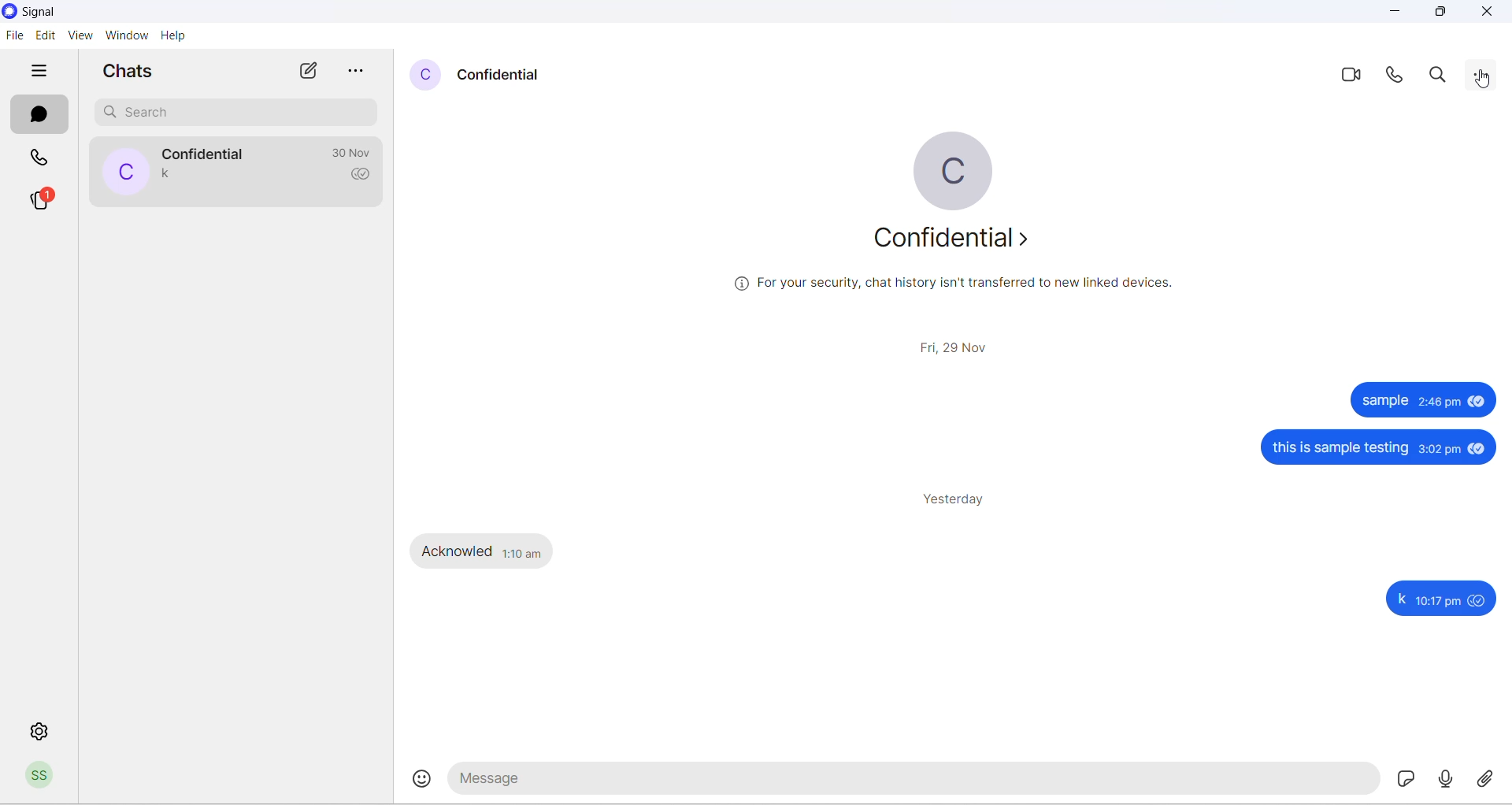 This screenshot has height=805, width=1512. Describe the element at coordinates (1399, 14) in the screenshot. I see `minimize` at that location.